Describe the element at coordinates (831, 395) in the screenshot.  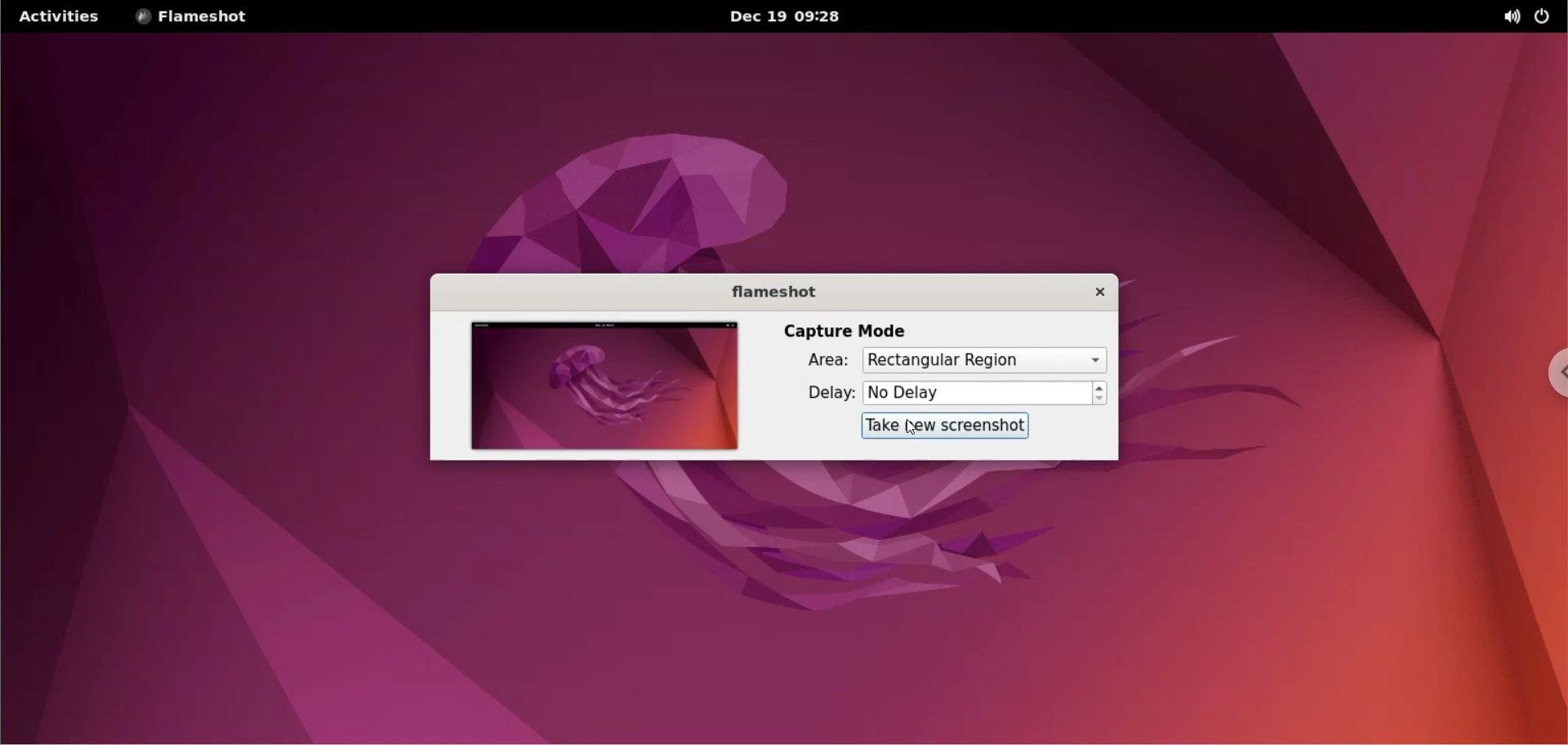
I see `delay label` at that location.